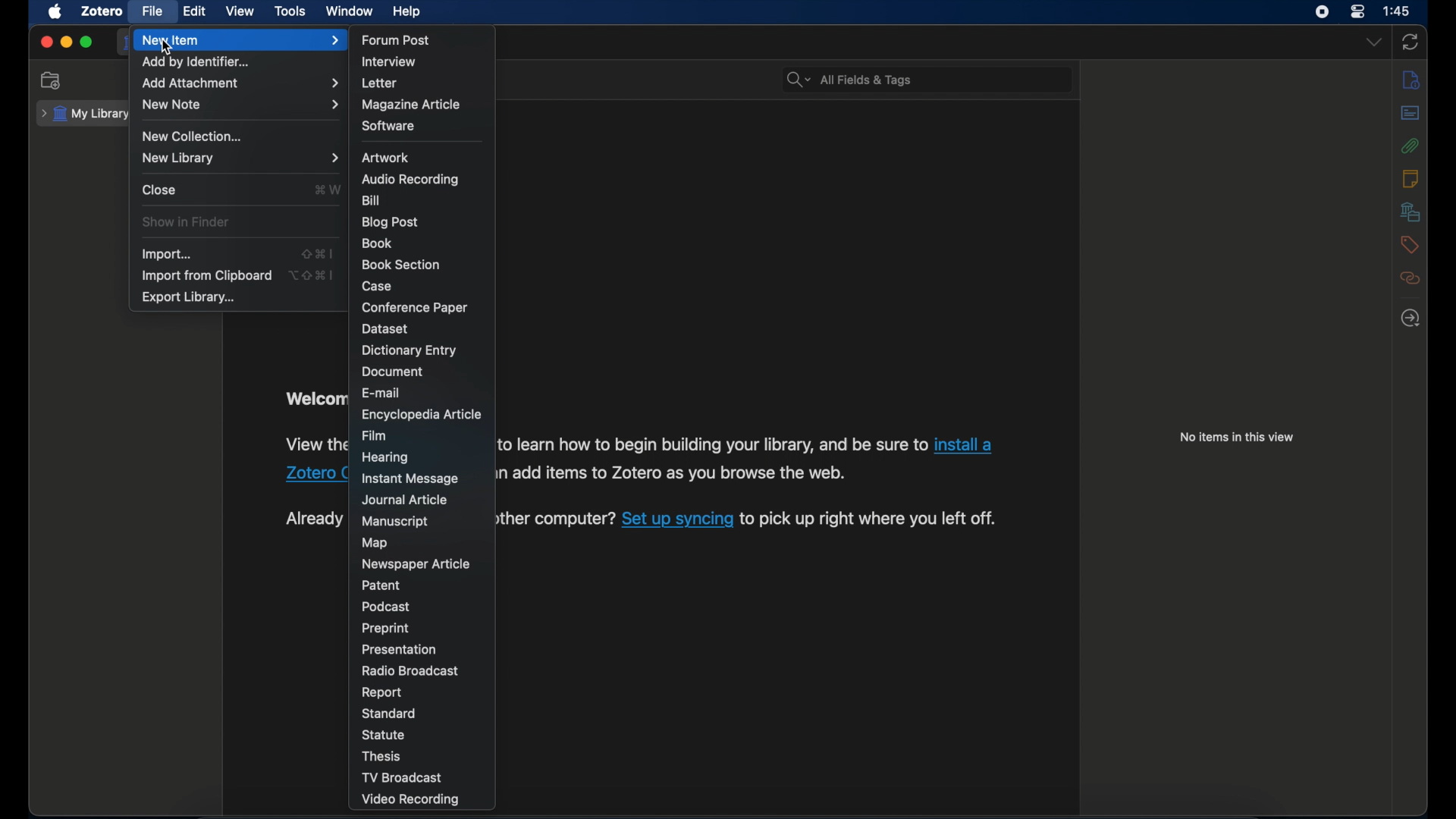 This screenshot has width=1456, height=819. Describe the element at coordinates (849, 80) in the screenshot. I see `search bar` at that location.